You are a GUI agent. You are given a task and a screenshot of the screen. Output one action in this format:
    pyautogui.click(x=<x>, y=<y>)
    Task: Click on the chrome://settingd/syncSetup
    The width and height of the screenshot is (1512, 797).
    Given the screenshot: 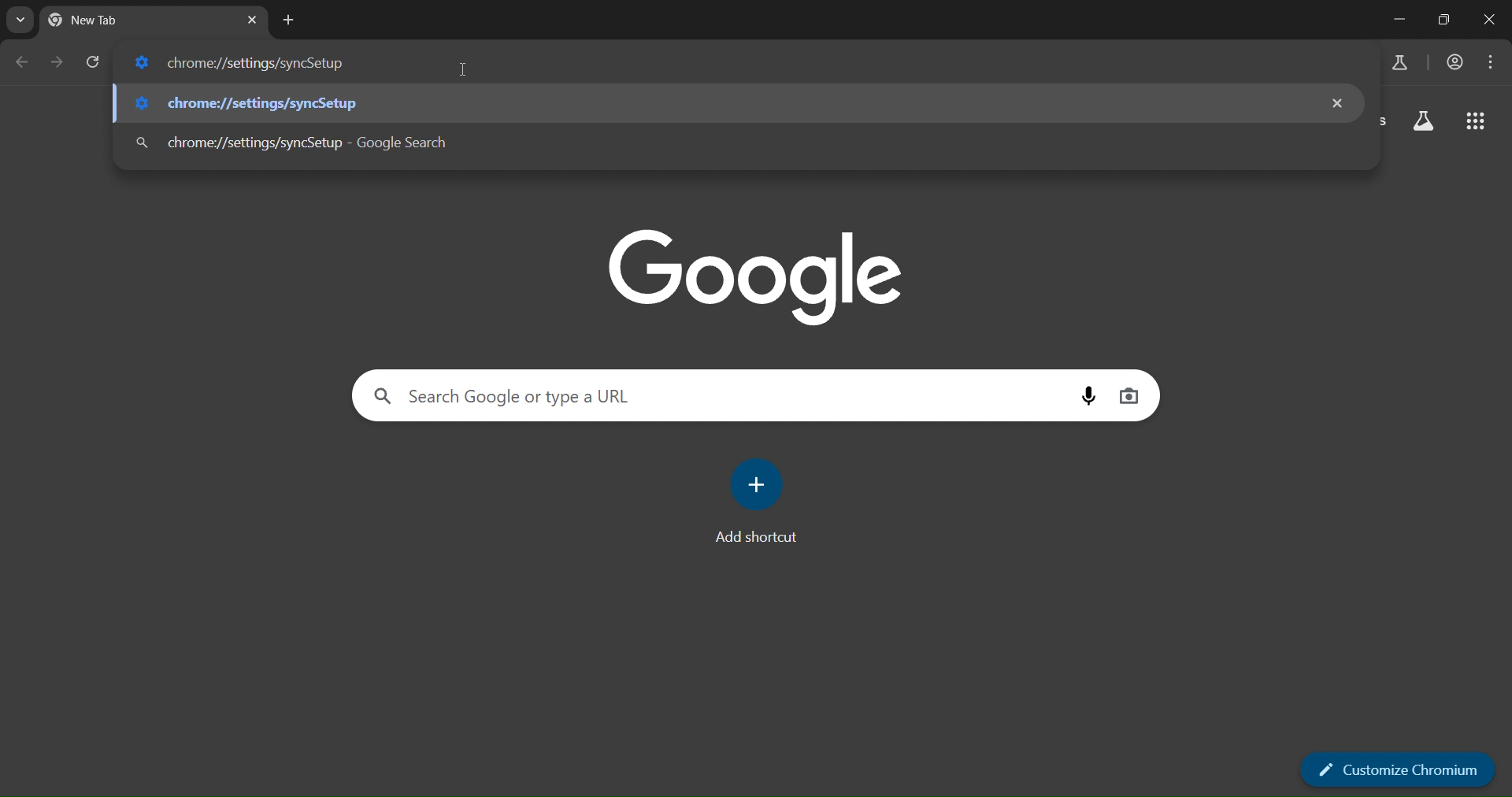 What is the action you would take?
    pyautogui.click(x=718, y=102)
    